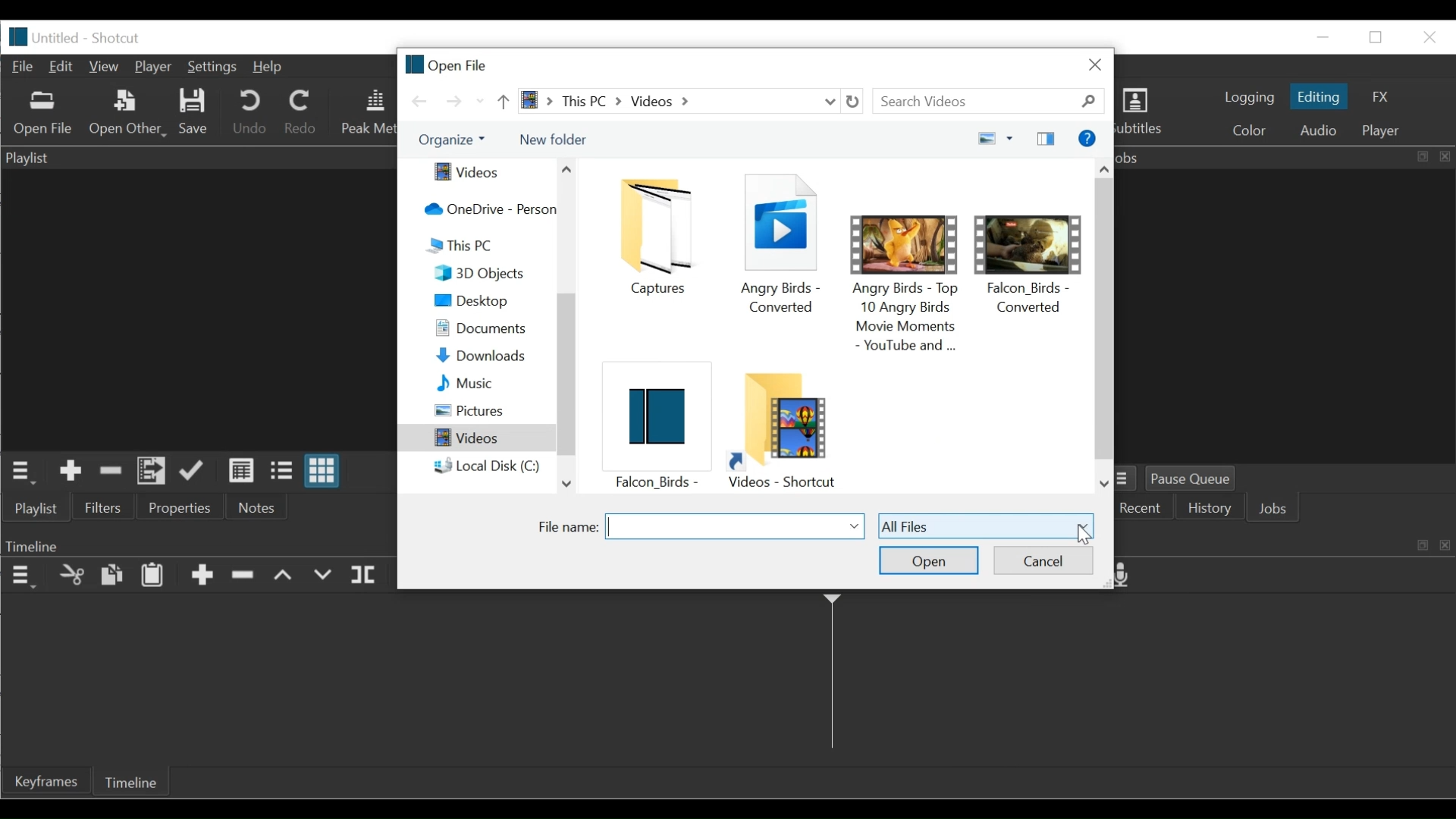 Image resolution: width=1456 pixels, height=819 pixels. Describe the element at coordinates (1096, 64) in the screenshot. I see `Close` at that location.